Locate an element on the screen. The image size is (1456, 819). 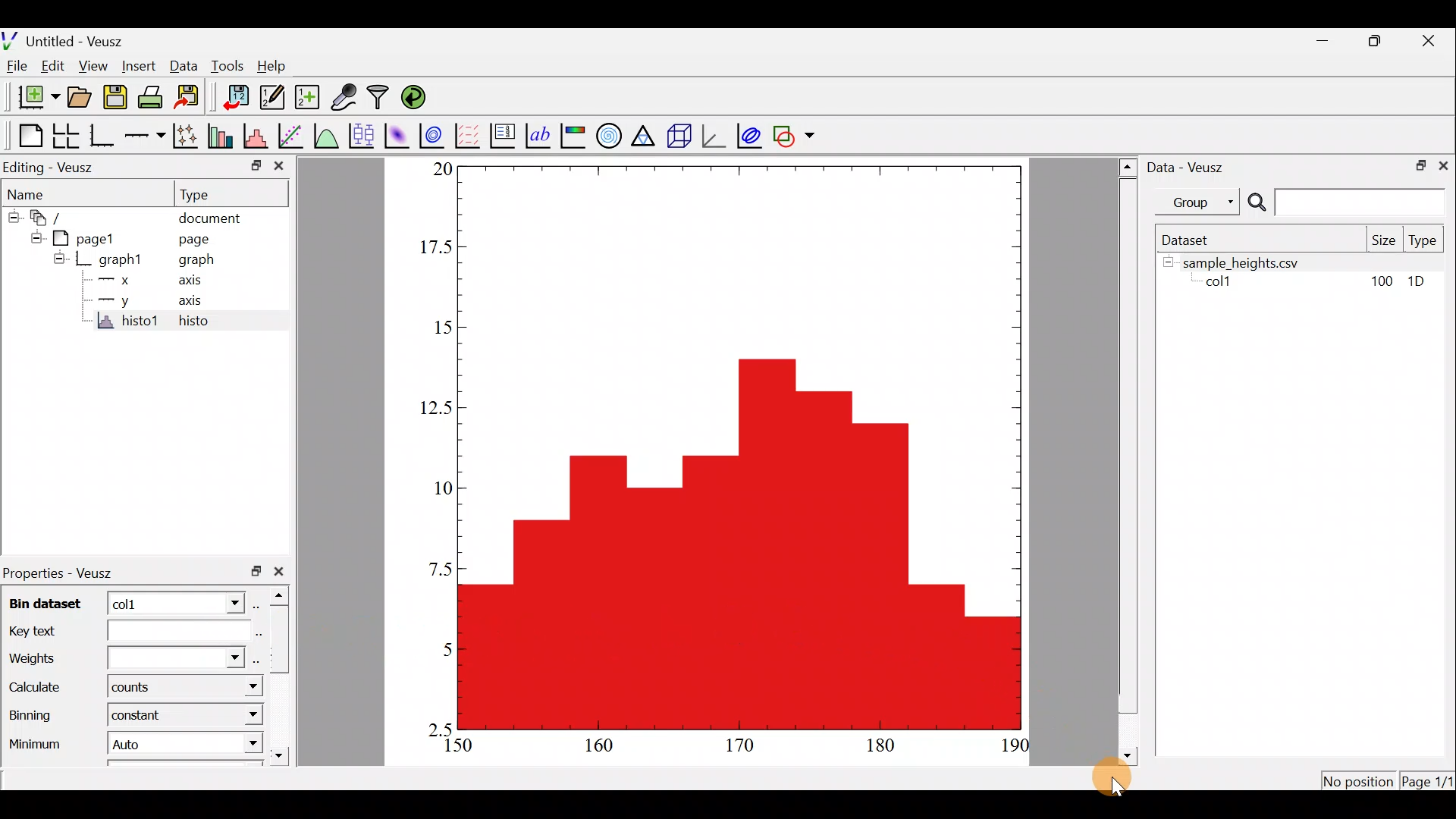
restore down is located at coordinates (251, 168).